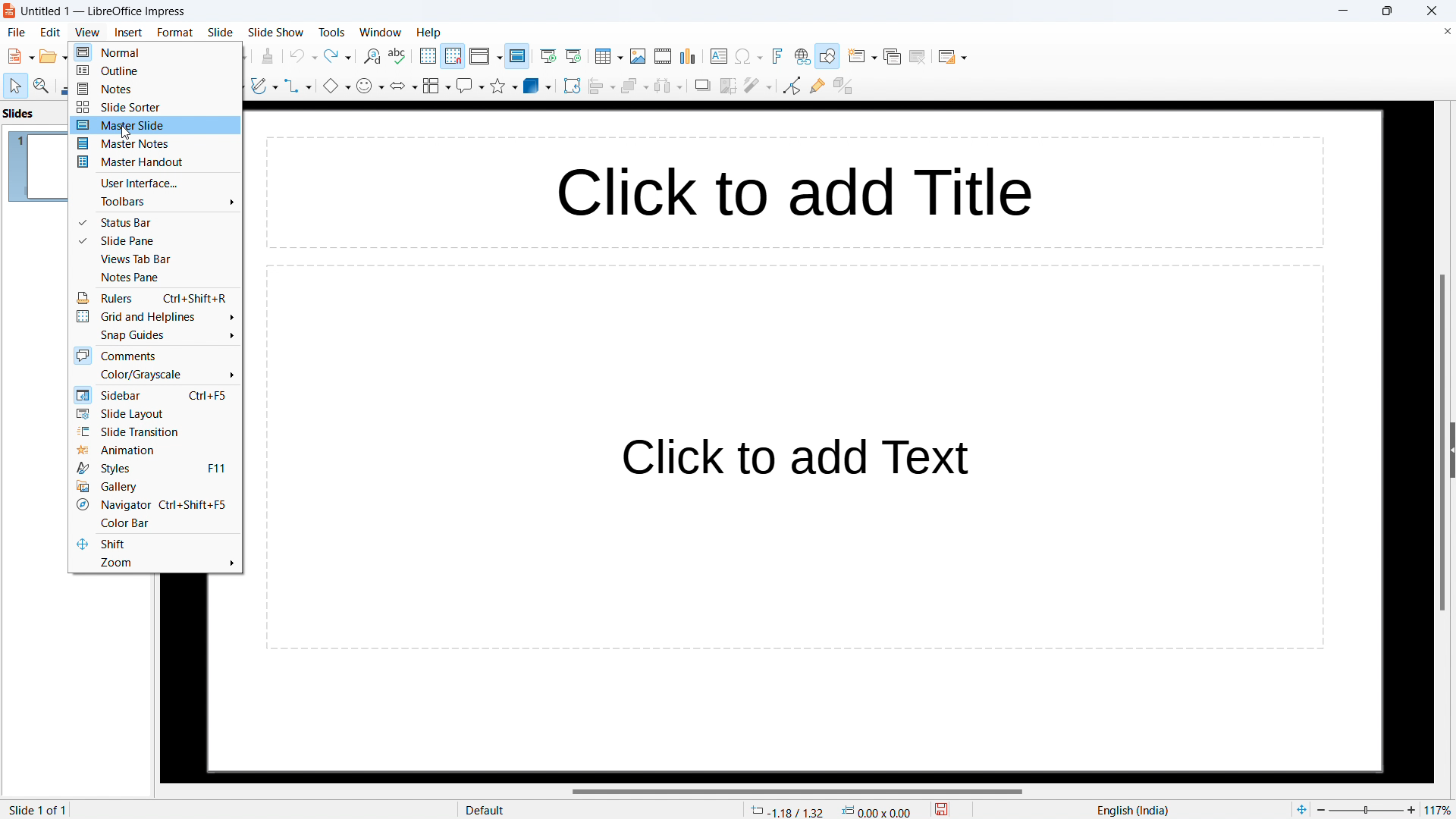 The height and width of the screenshot is (819, 1456). What do you see at coordinates (877, 811) in the screenshot?
I see `dimensions` at bounding box center [877, 811].